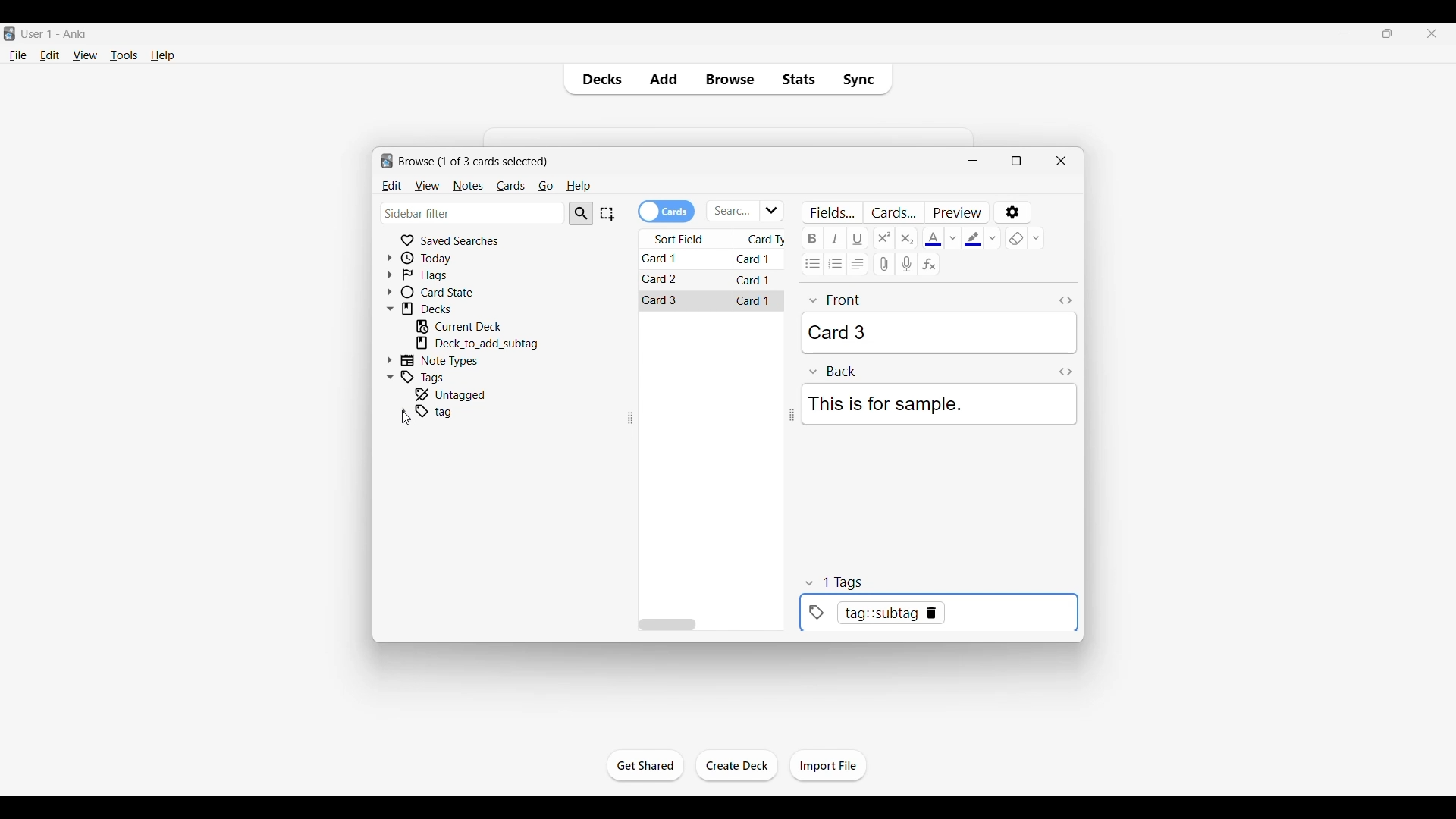  I want to click on User 1 - Anki, so click(55, 33).